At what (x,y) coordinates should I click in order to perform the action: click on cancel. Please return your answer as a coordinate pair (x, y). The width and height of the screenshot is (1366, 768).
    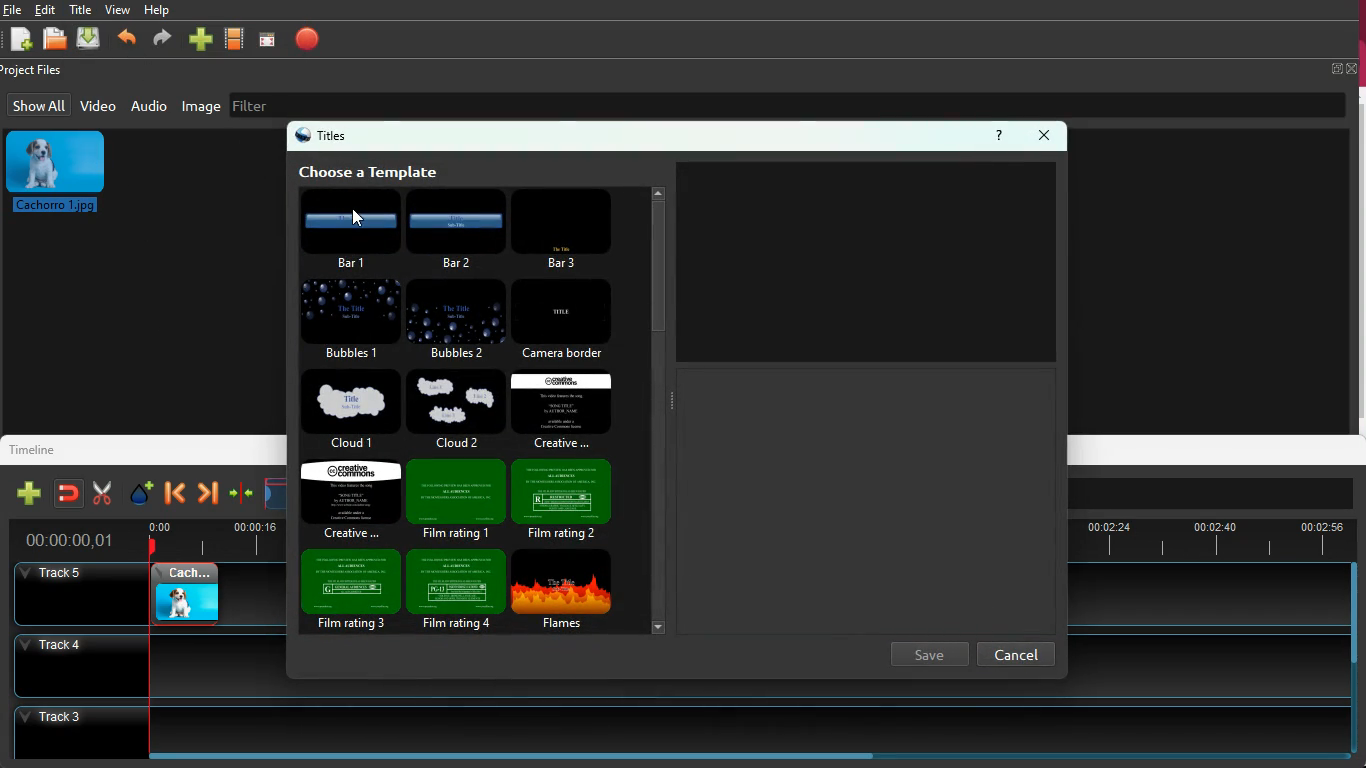
    Looking at the image, I should click on (1017, 653).